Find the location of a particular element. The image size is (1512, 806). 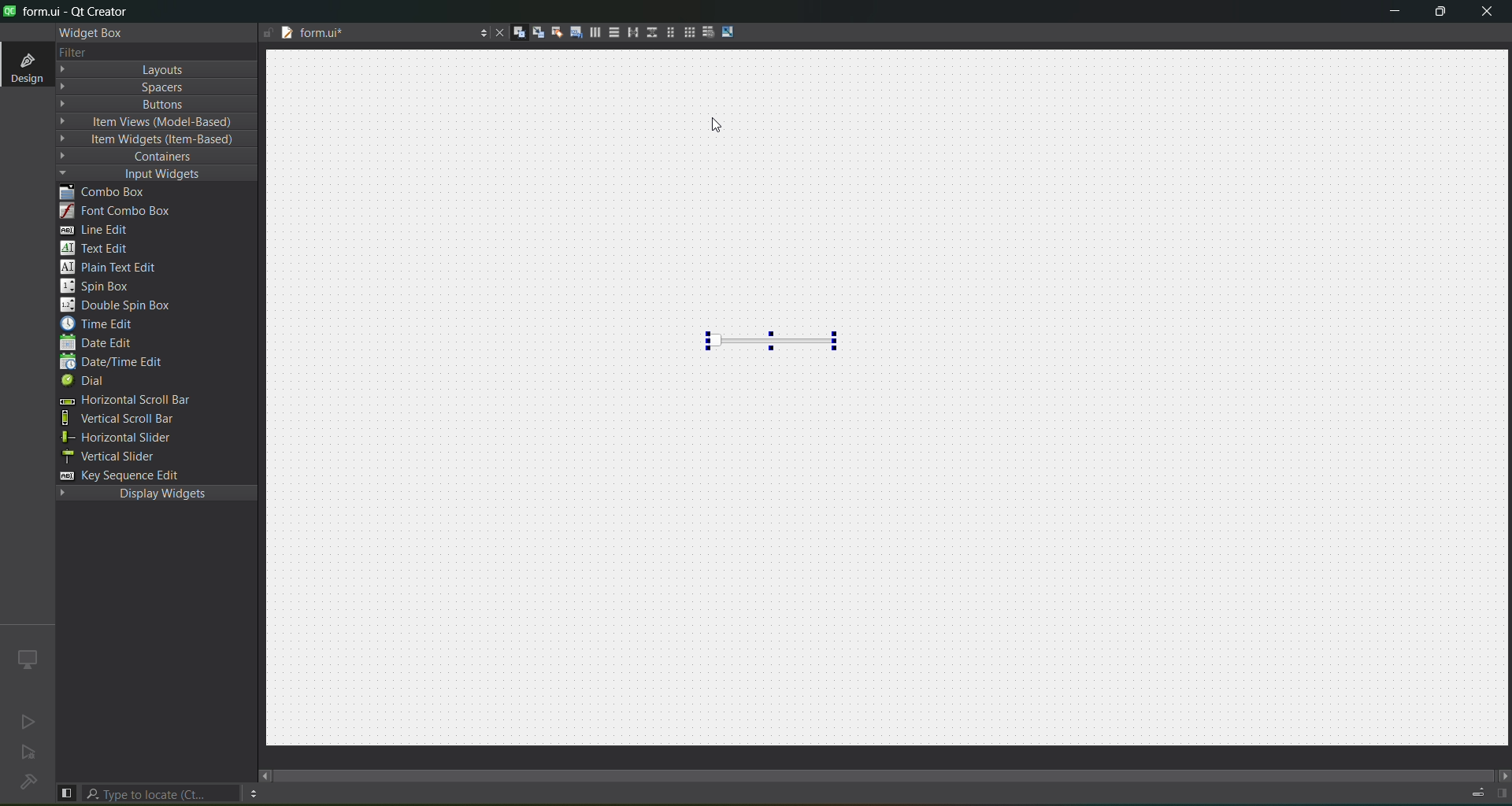

plain text edit is located at coordinates (116, 269).